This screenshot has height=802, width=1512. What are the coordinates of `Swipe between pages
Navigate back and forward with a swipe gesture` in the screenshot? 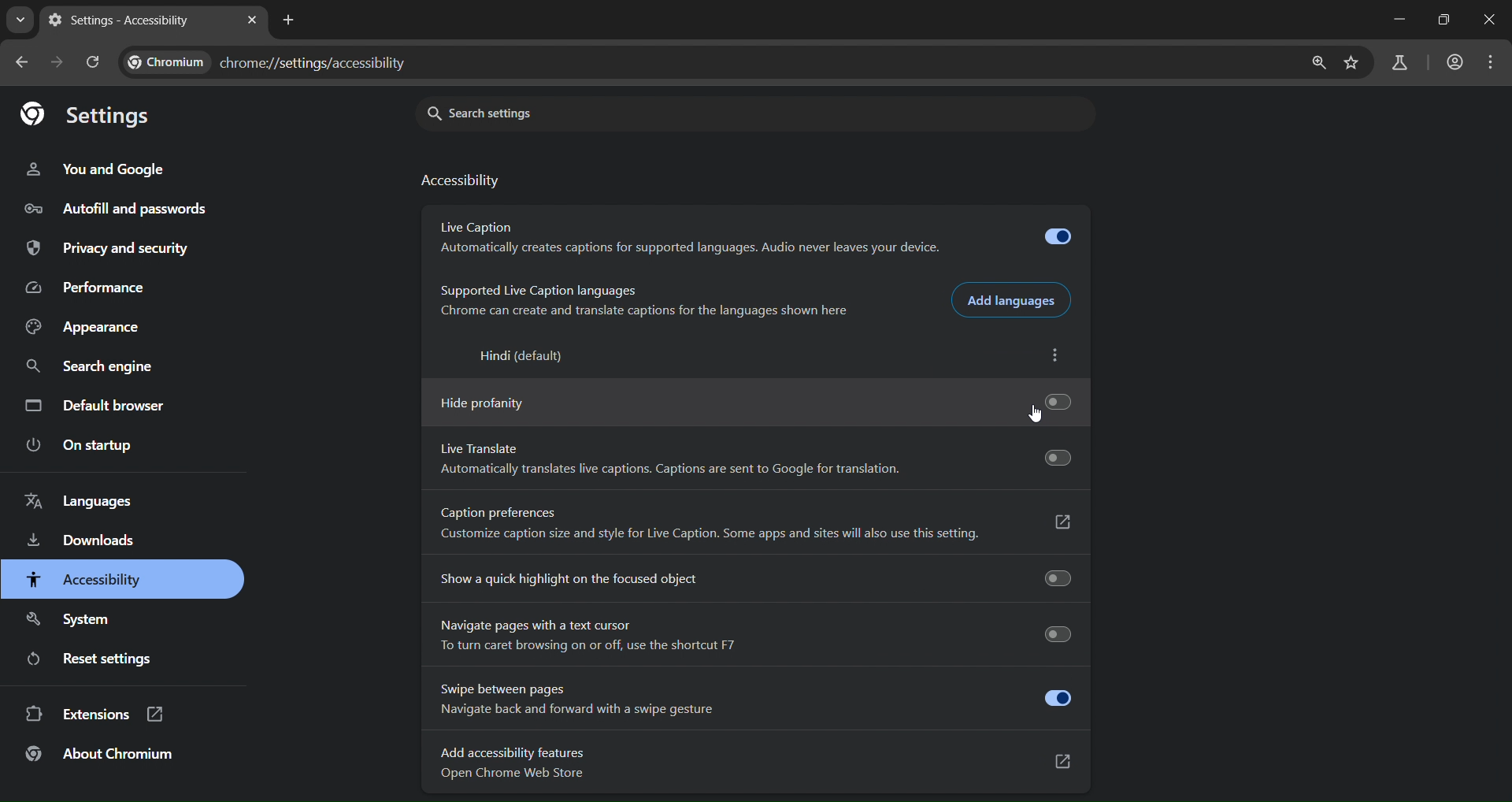 It's located at (750, 700).